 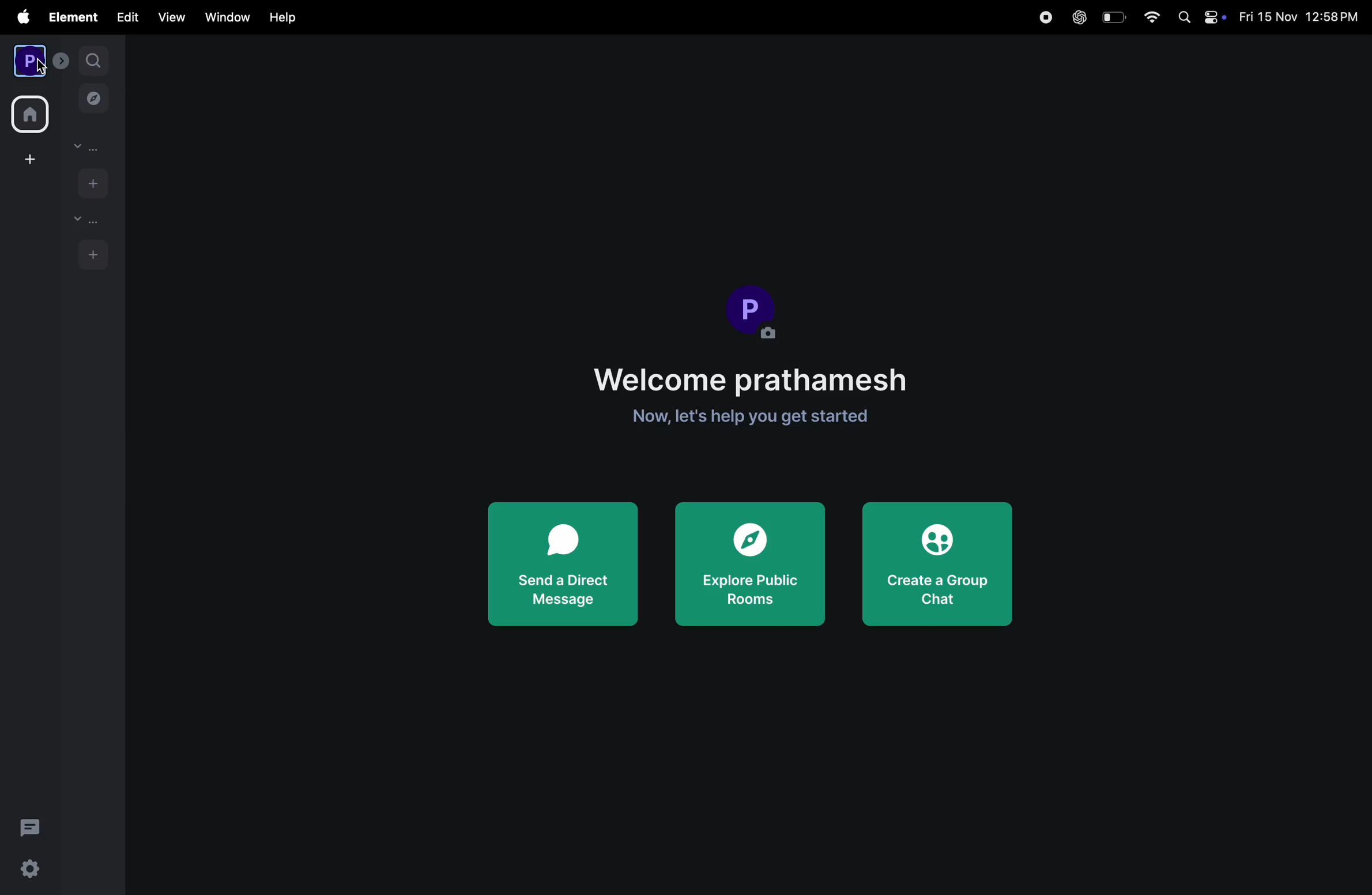 What do you see at coordinates (75, 17) in the screenshot?
I see `element` at bounding box center [75, 17].